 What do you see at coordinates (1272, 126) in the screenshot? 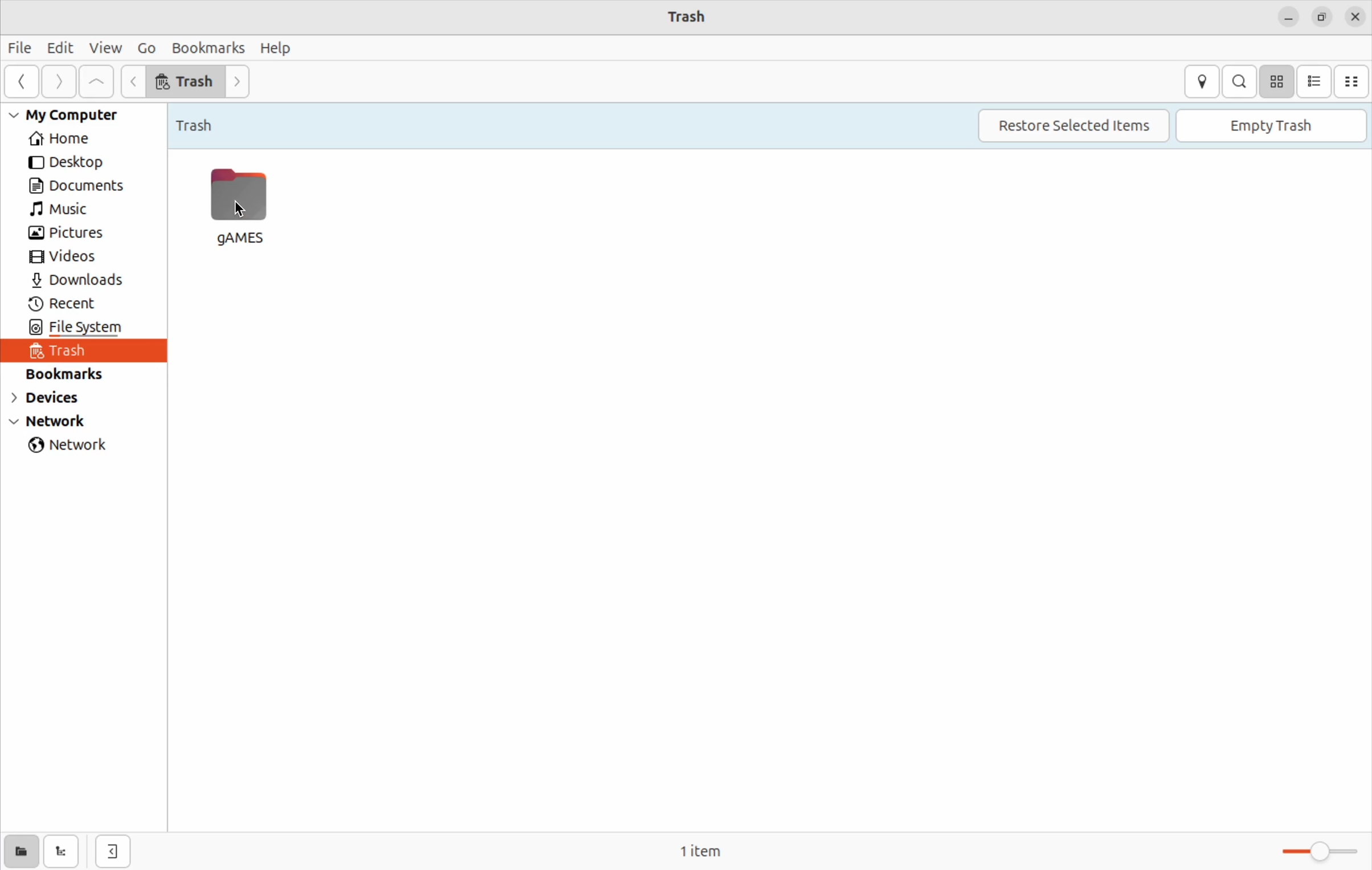
I see `empty trash` at bounding box center [1272, 126].